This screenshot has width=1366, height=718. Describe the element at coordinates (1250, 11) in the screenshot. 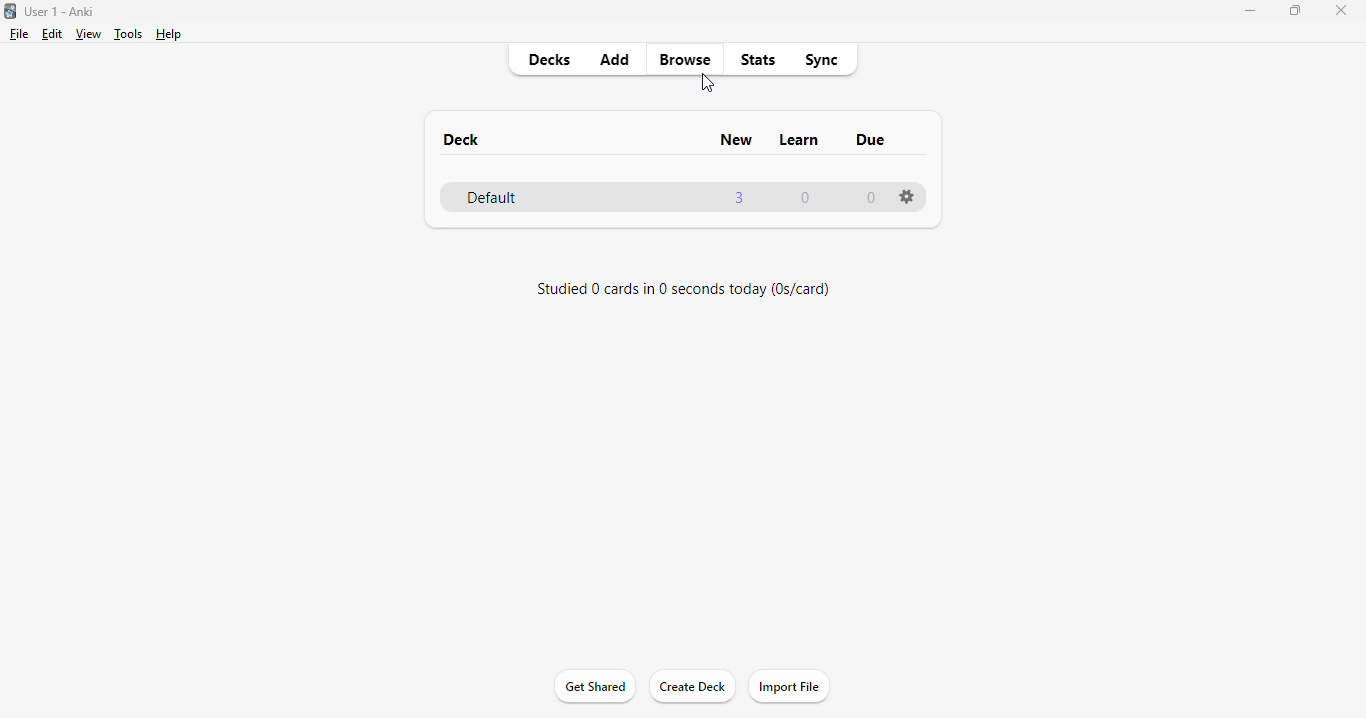

I see `minimize` at that location.